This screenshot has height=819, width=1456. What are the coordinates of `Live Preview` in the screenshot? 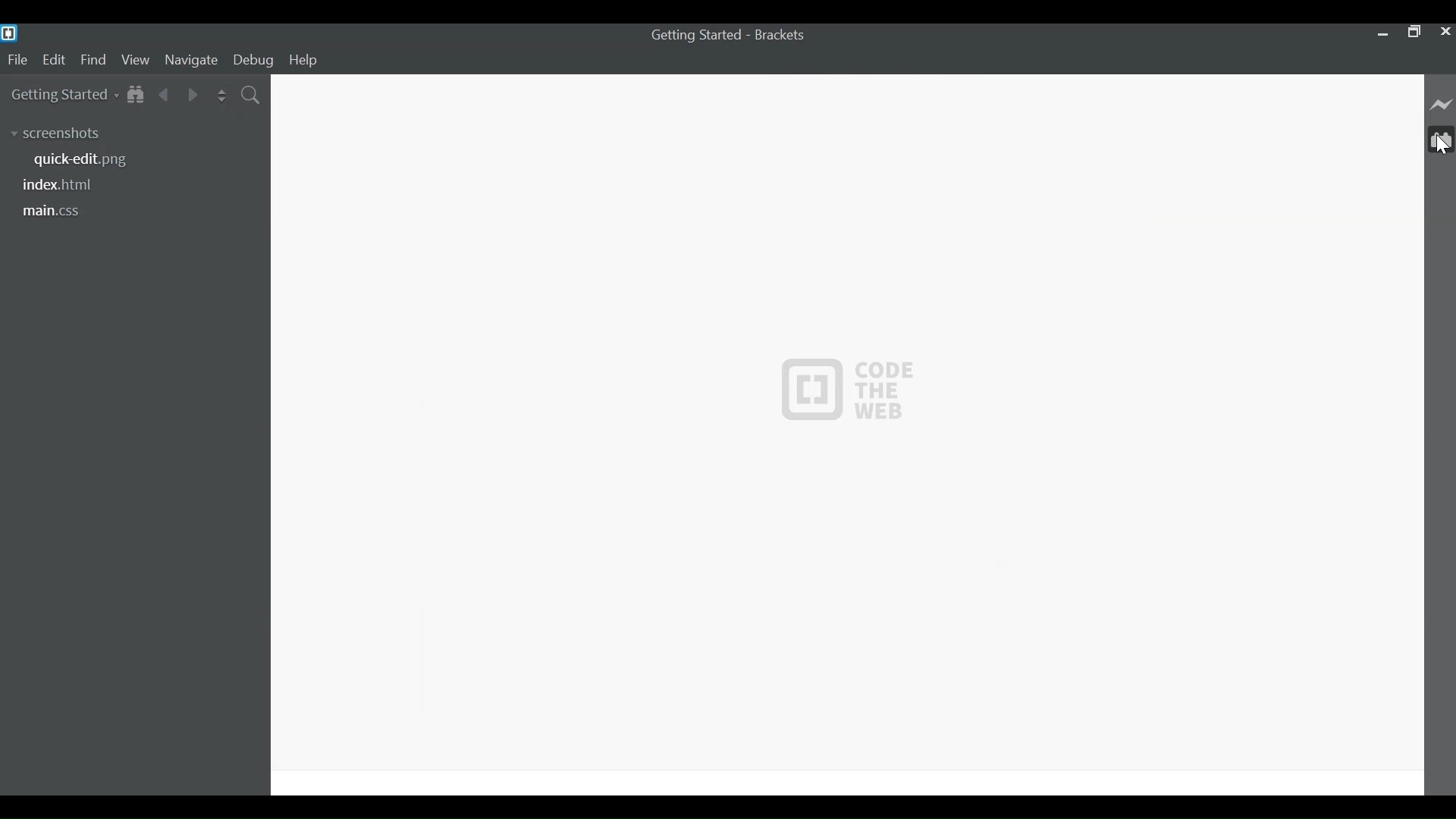 It's located at (1442, 102).